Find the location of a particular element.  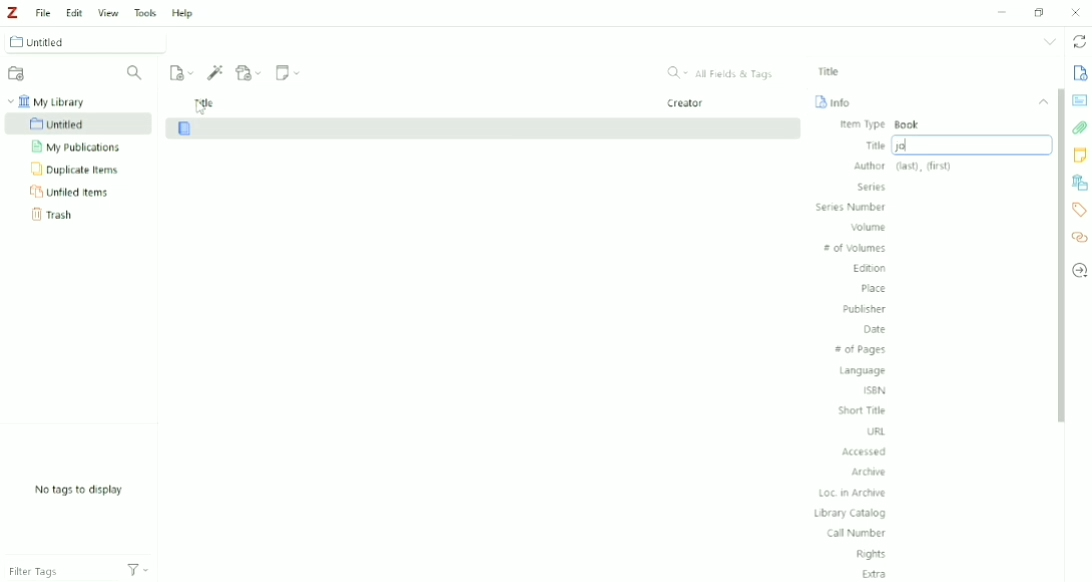

Libraries and Collections is located at coordinates (1079, 182).